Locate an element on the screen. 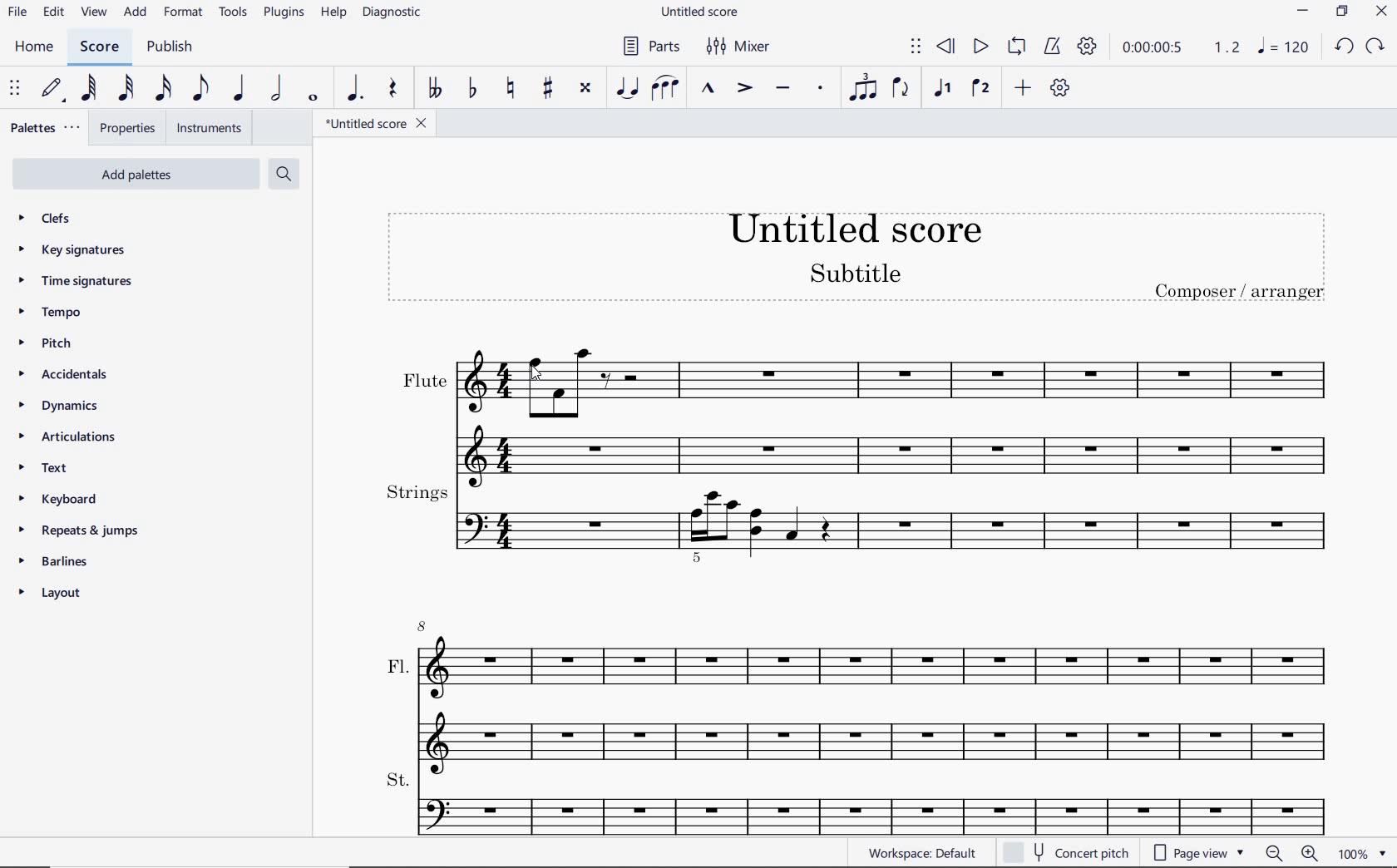  ACCENT is located at coordinates (744, 89).